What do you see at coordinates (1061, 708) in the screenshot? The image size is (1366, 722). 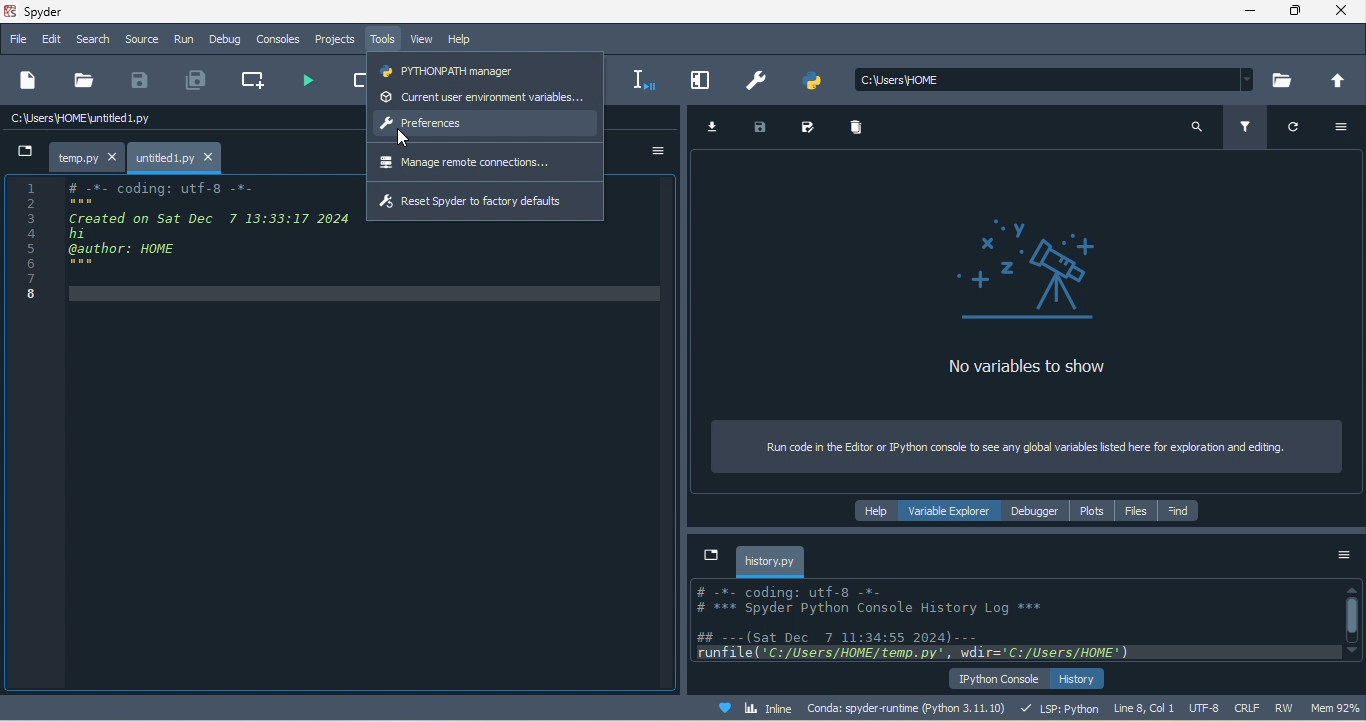 I see `lsp- python` at bounding box center [1061, 708].